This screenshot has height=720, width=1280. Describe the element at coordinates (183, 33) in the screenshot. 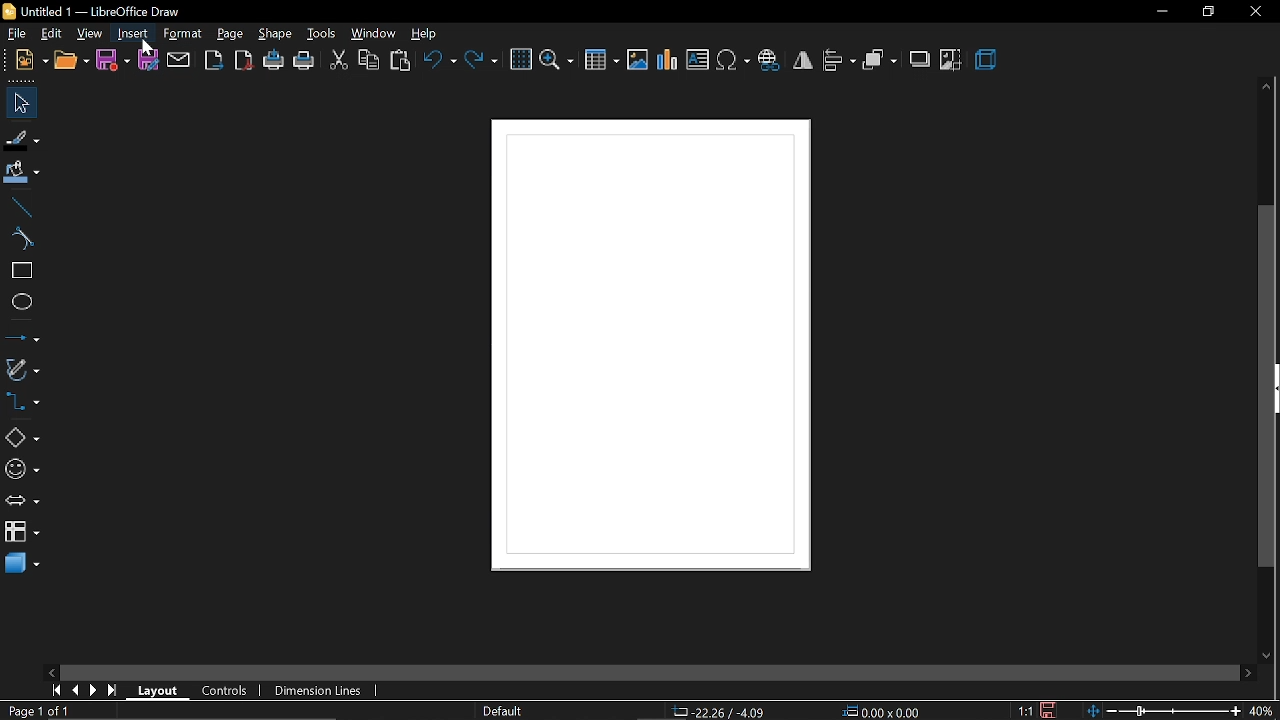

I see `format` at that location.